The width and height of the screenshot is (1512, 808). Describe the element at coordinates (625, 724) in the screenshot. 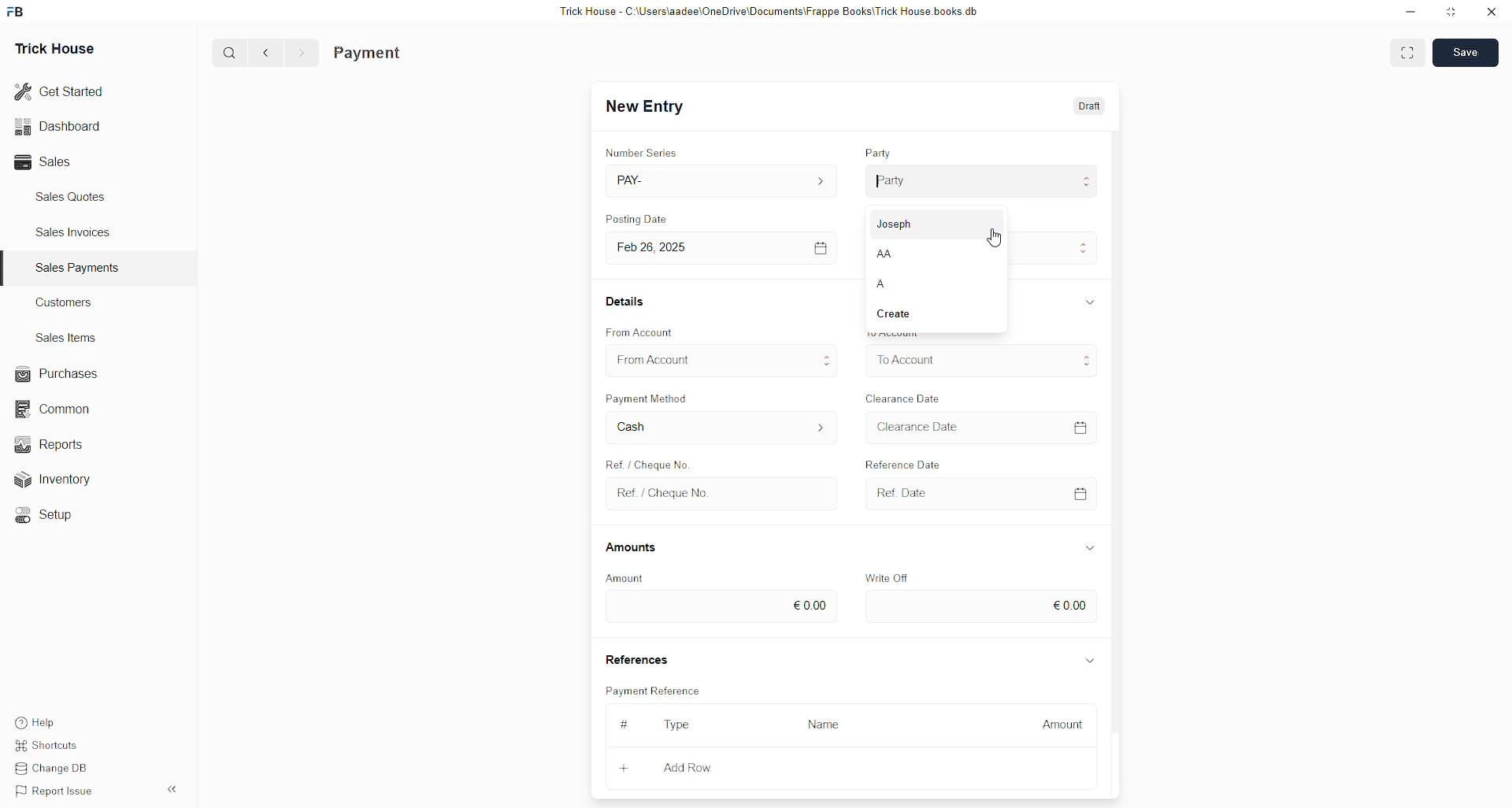

I see `#` at that location.